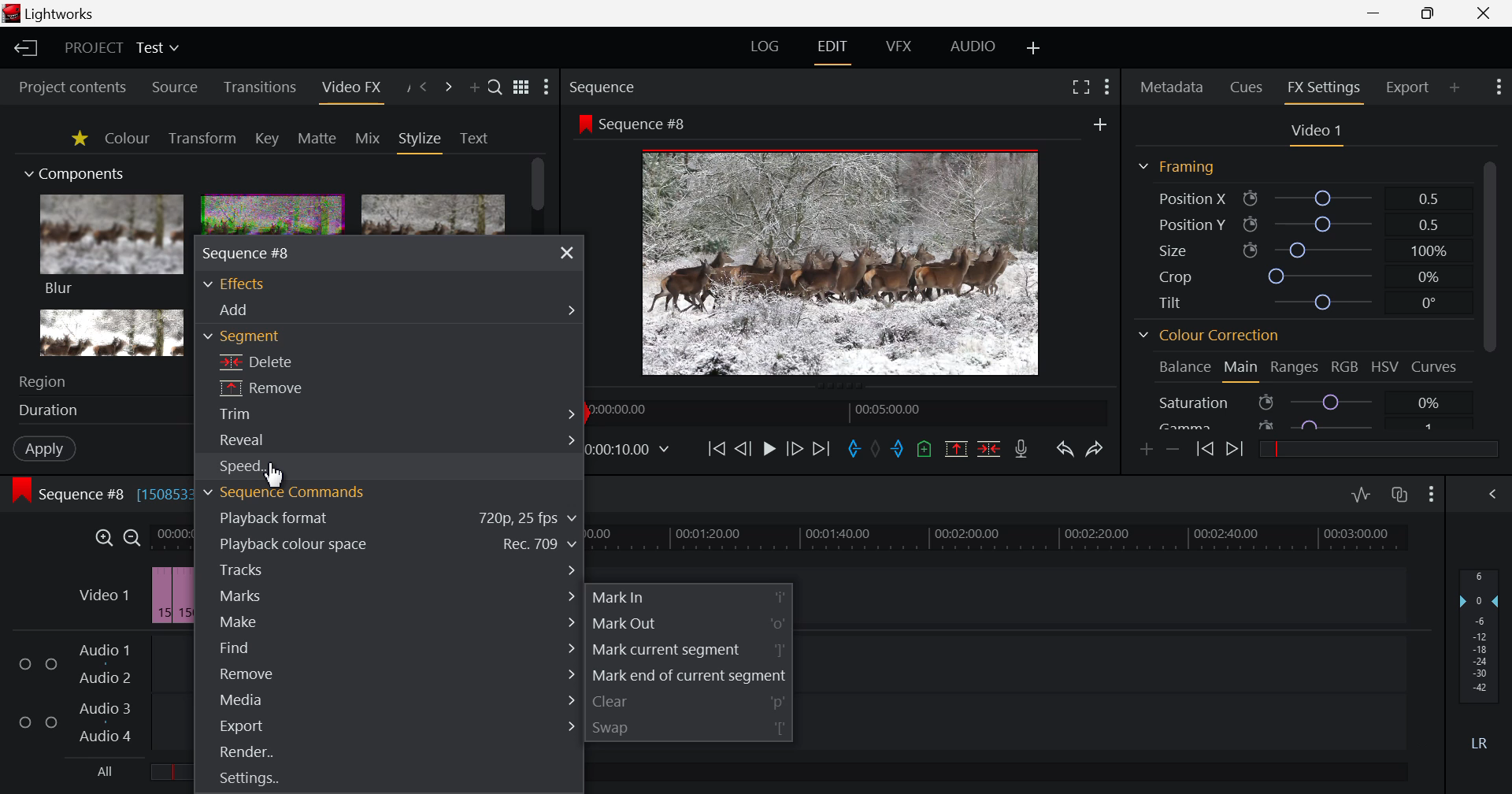 Image resolution: width=1512 pixels, height=794 pixels. What do you see at coordinates (1107, 90) in the screenshot?
I see `Show Settings` at bounding box center [1107, 90].